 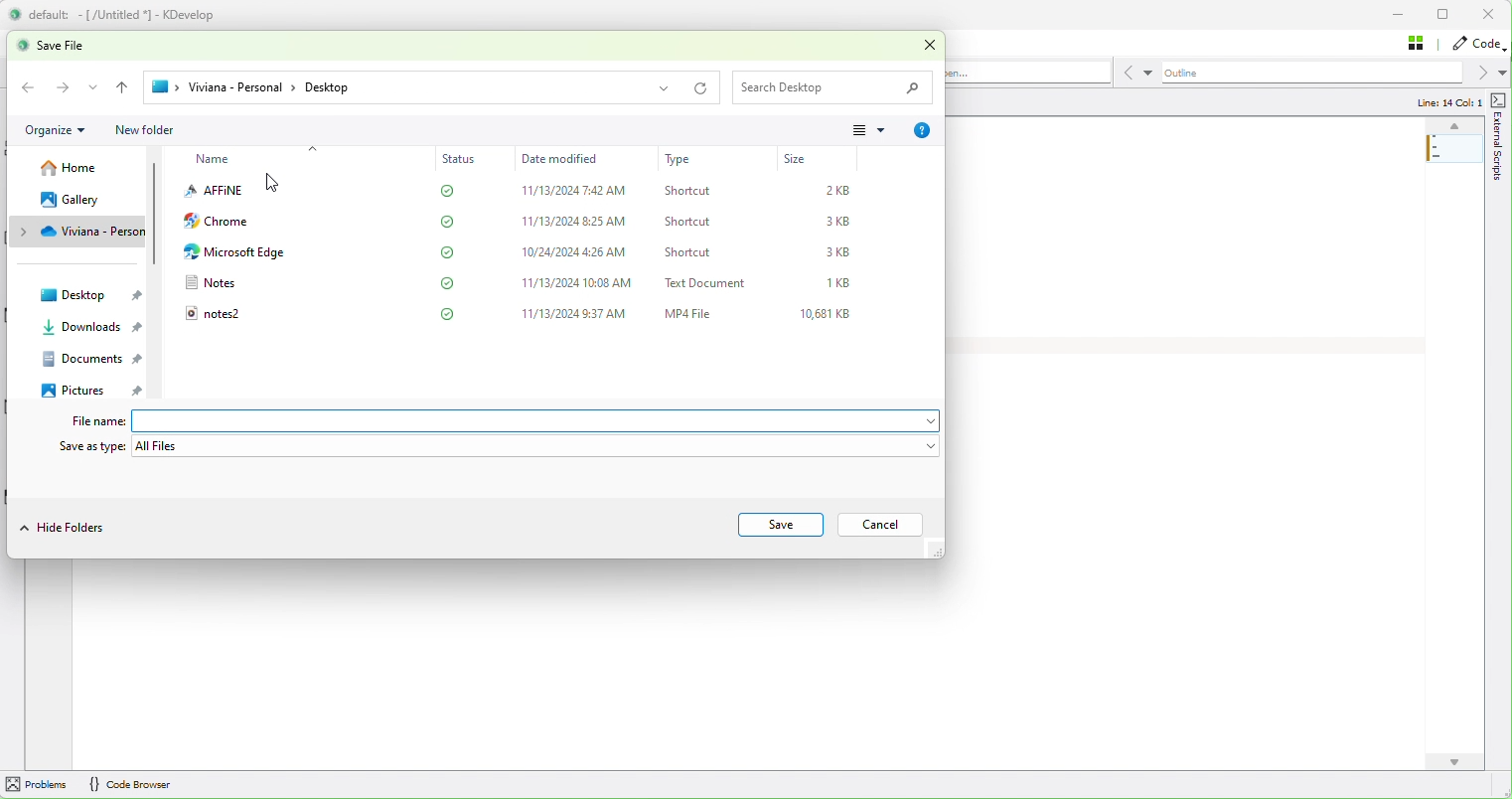 I want to click on Gallery, so click(x=81, y=201).